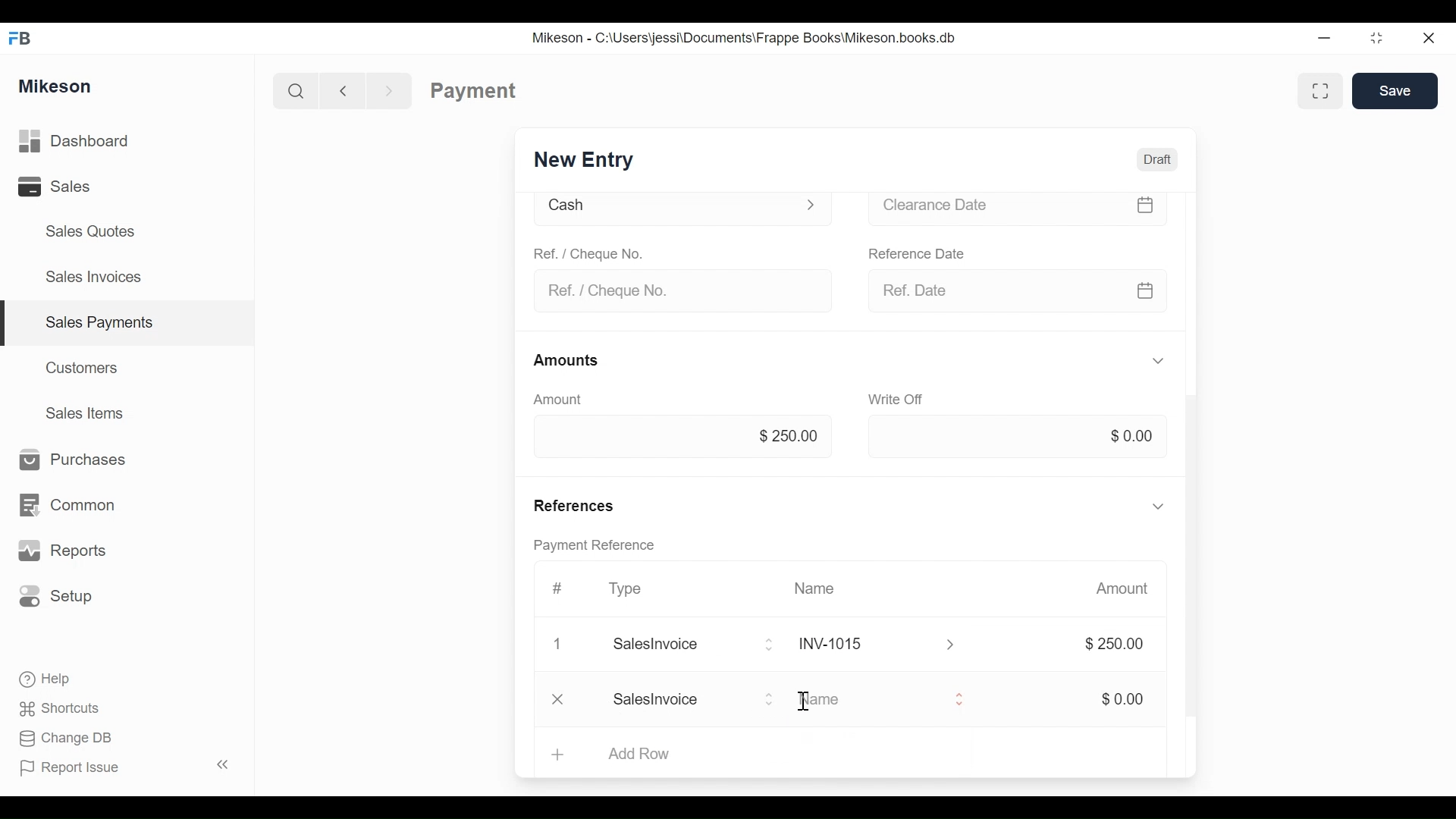 The width and height of the screenshot is (1456, 819). Describe the element at coordinates (102, 322) in the screenshot. I see `Sales payments` at that location.